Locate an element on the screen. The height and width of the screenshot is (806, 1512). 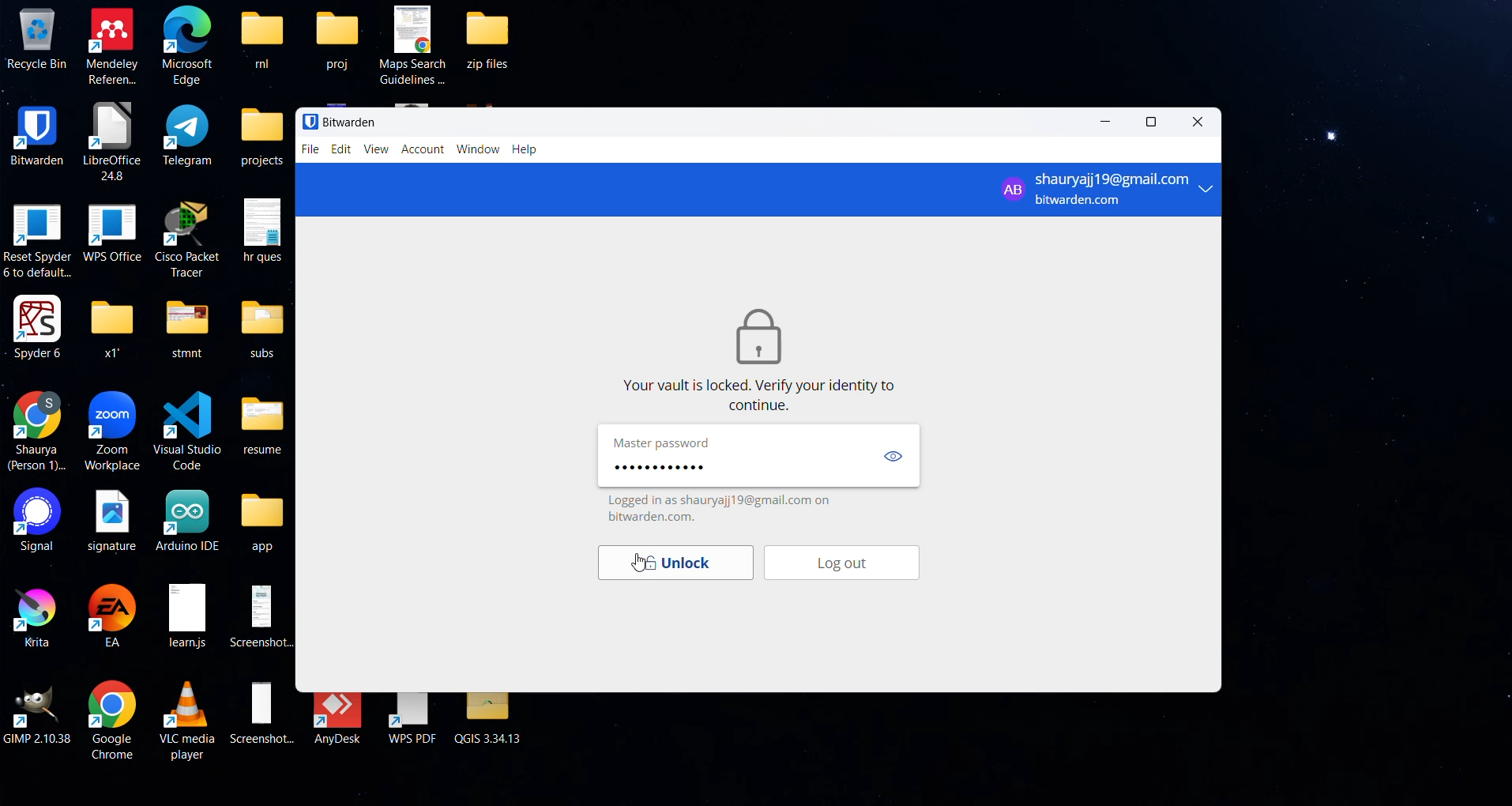
proj is located at coordinates (337, 38).